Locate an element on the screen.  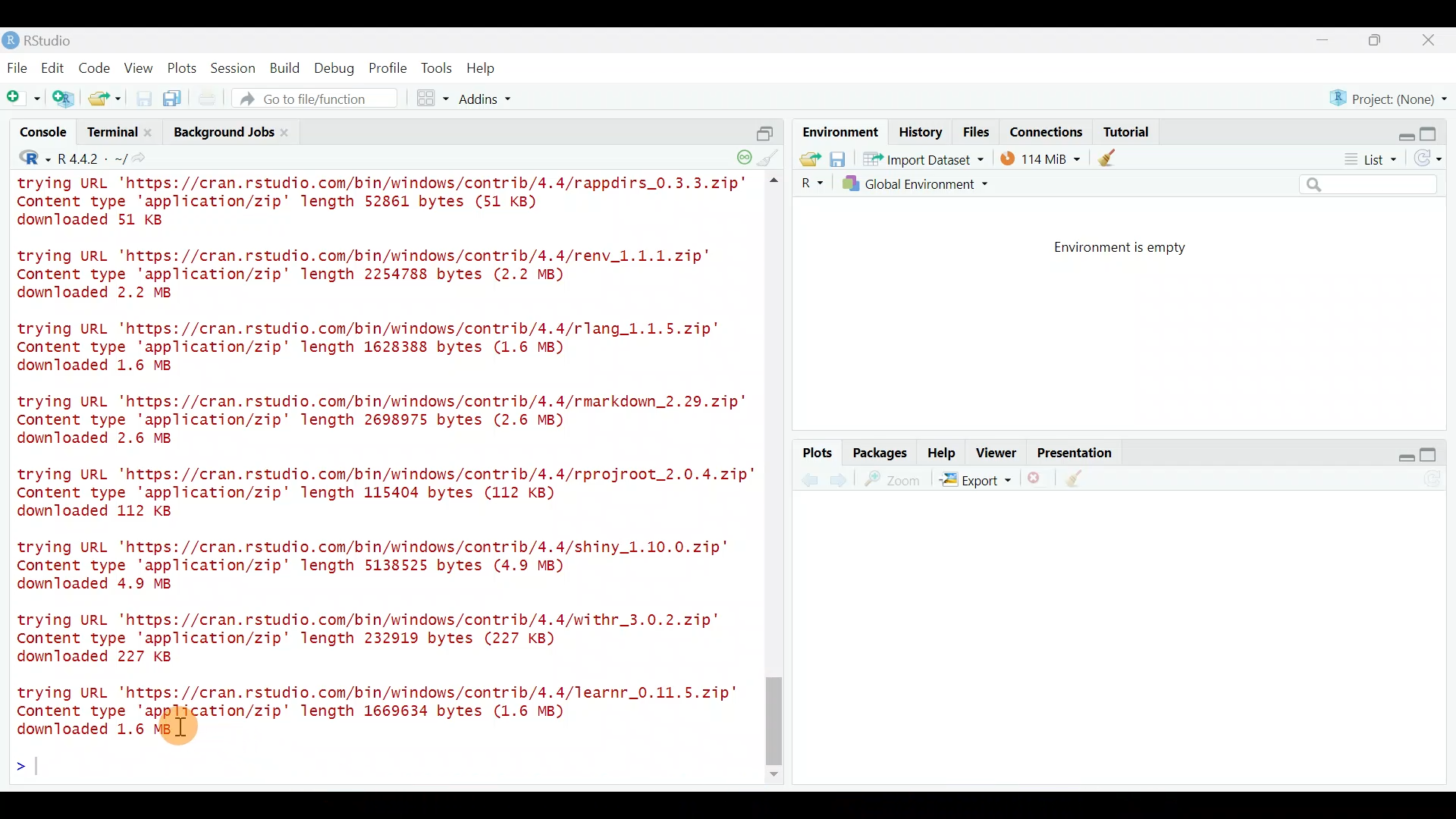
Refresh list of objects in the environment is located at coordinates (1433, 160).